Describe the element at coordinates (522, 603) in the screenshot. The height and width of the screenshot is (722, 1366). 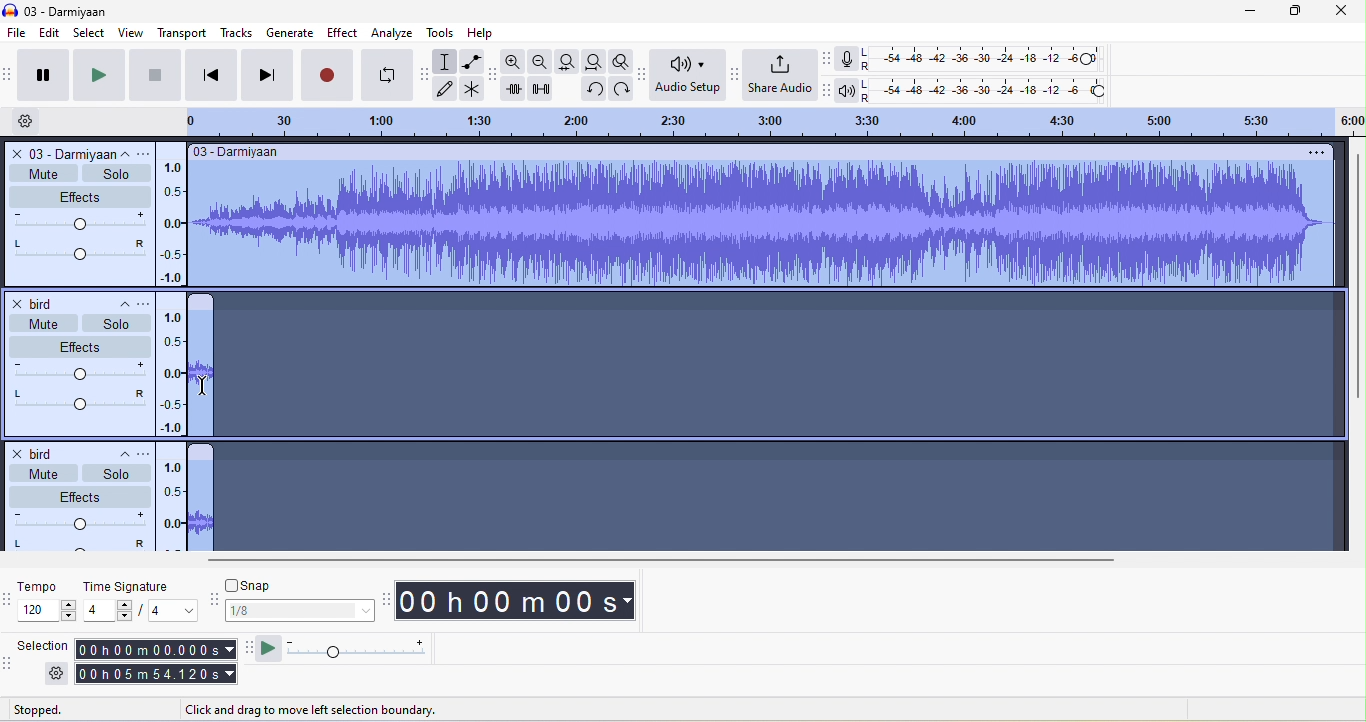
I see `00 h 00 m 00 s ` at that location.